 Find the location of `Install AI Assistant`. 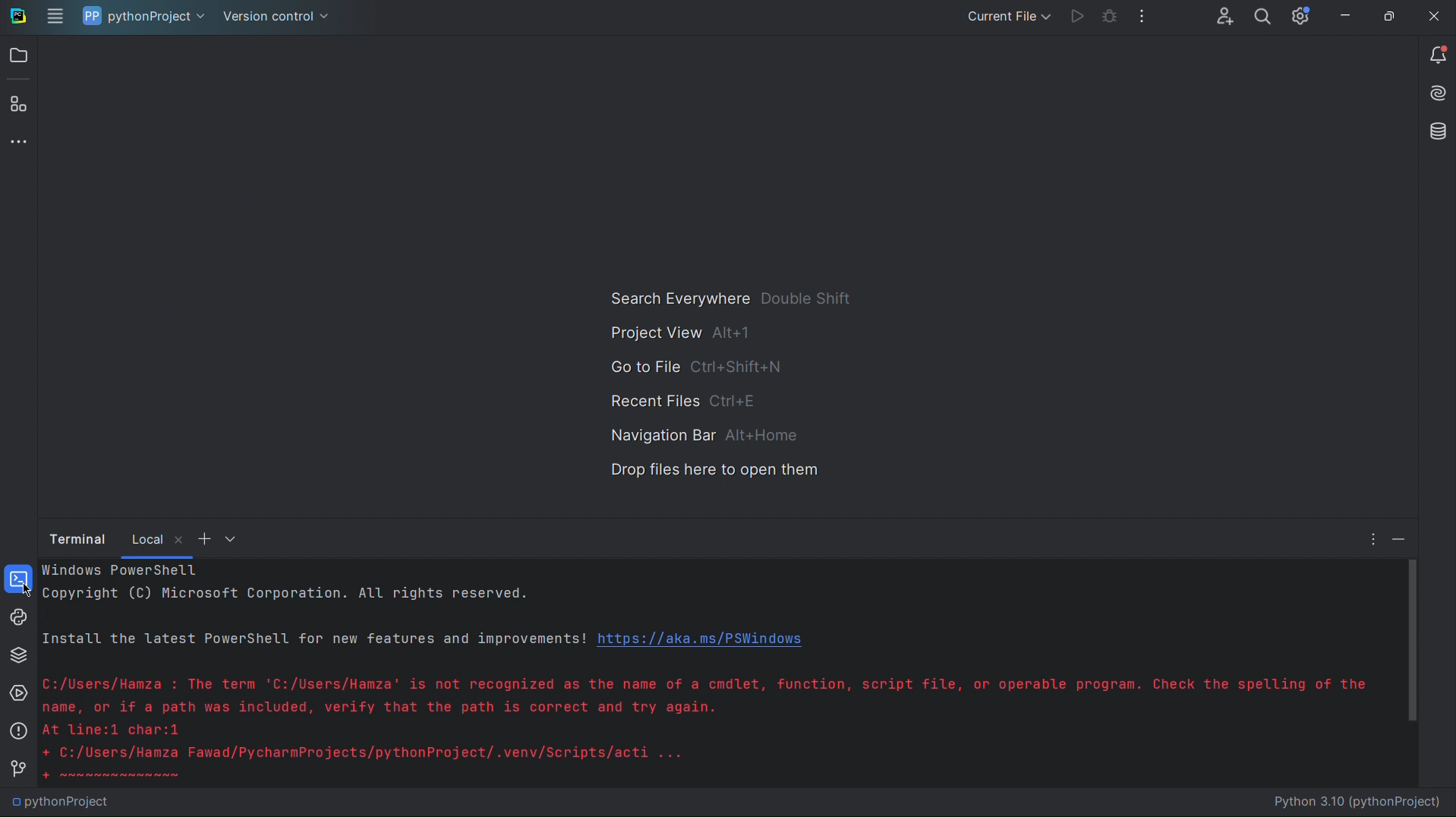

Install AI Assistant is located at coordinates (1434, 93).